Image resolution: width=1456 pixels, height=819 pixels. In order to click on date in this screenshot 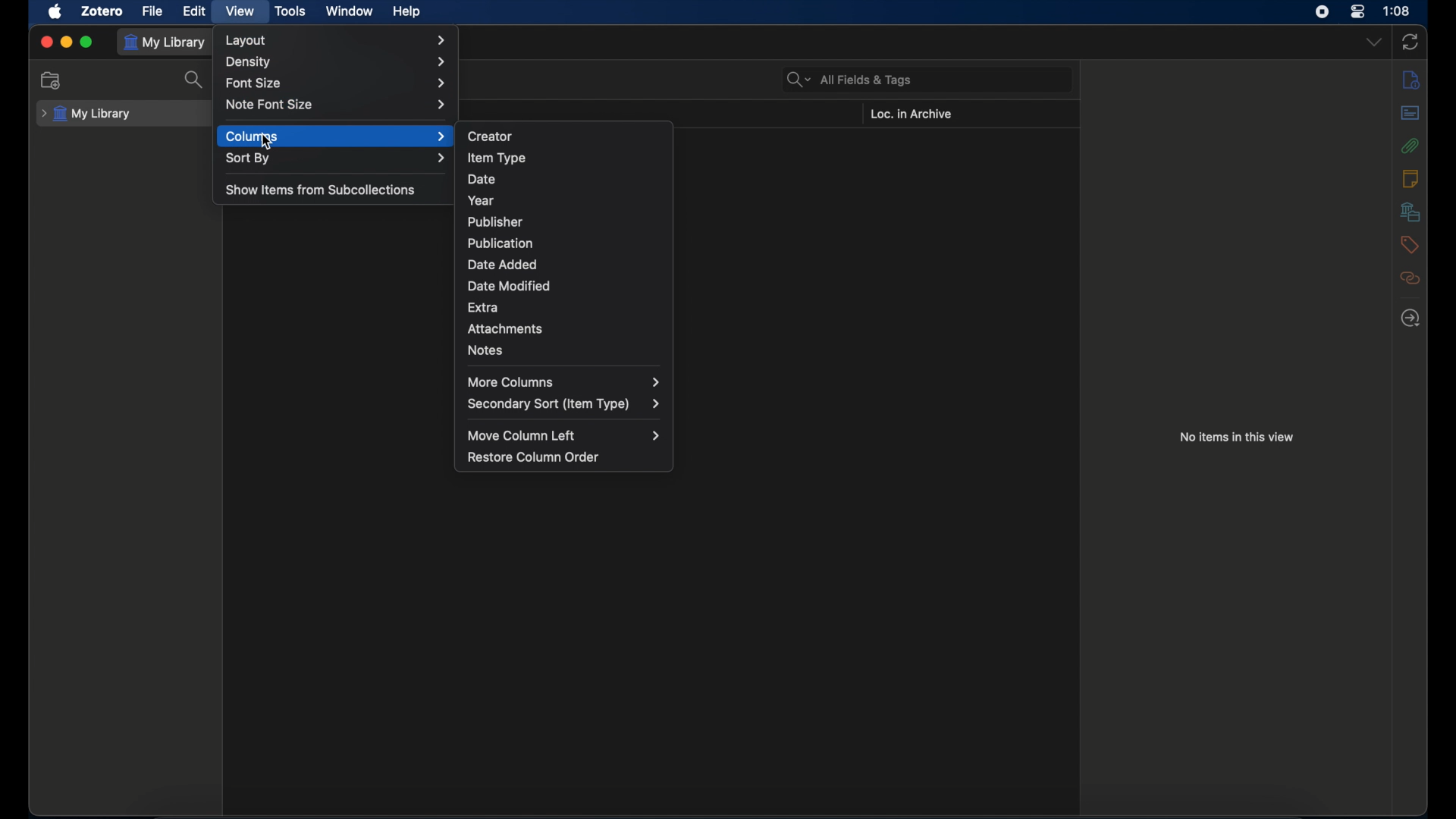, I will do `click(482, 180)`.